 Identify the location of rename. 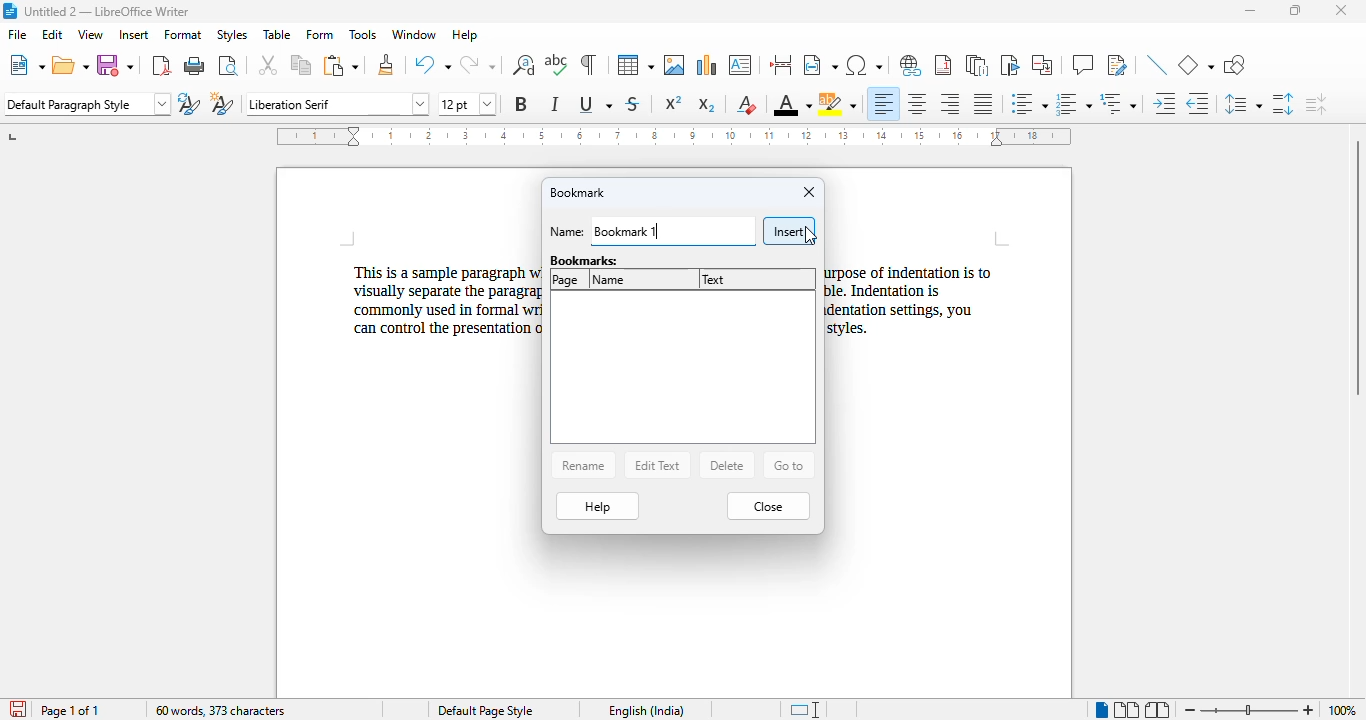
(583, 464).